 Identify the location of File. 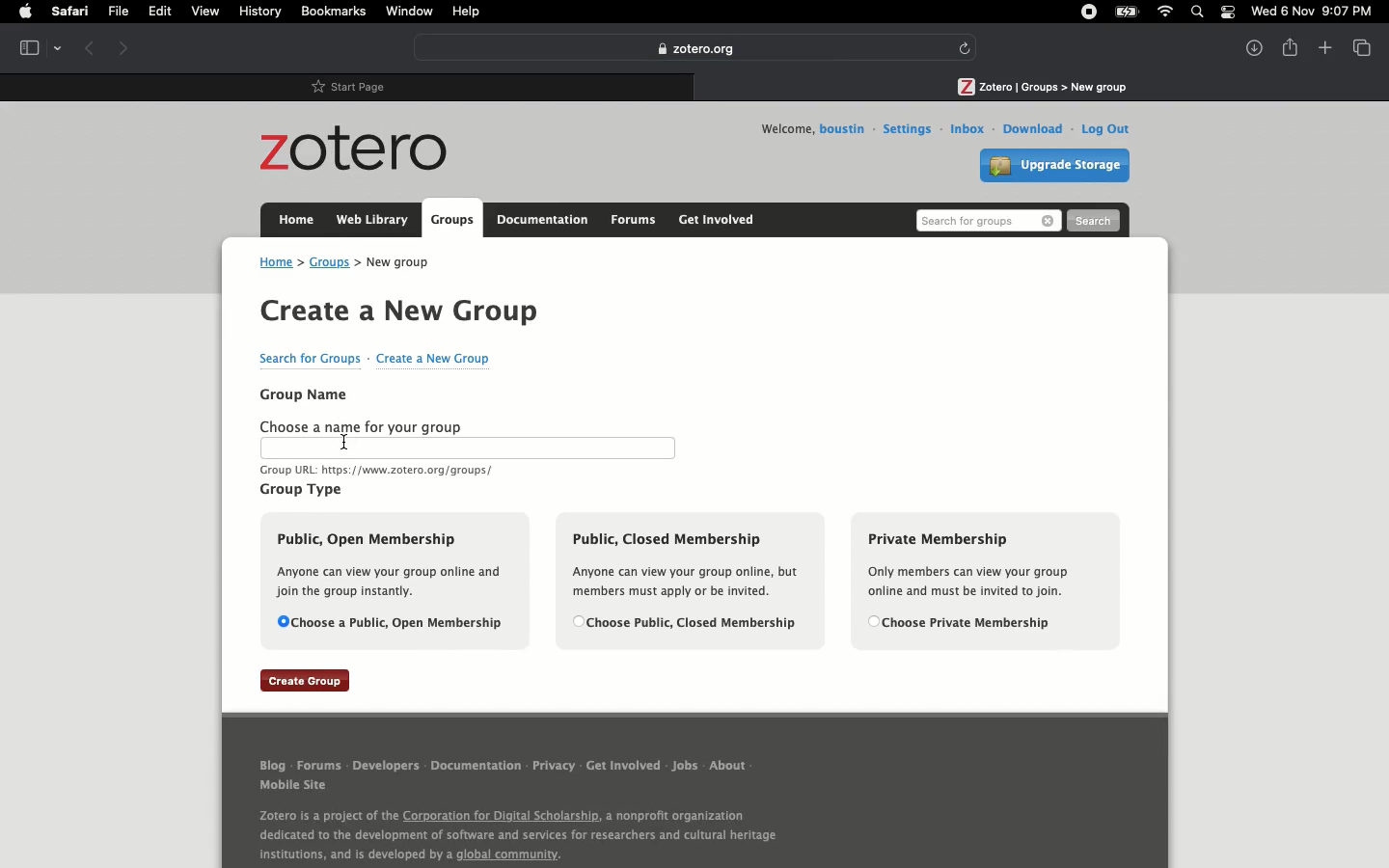
(122, 12).